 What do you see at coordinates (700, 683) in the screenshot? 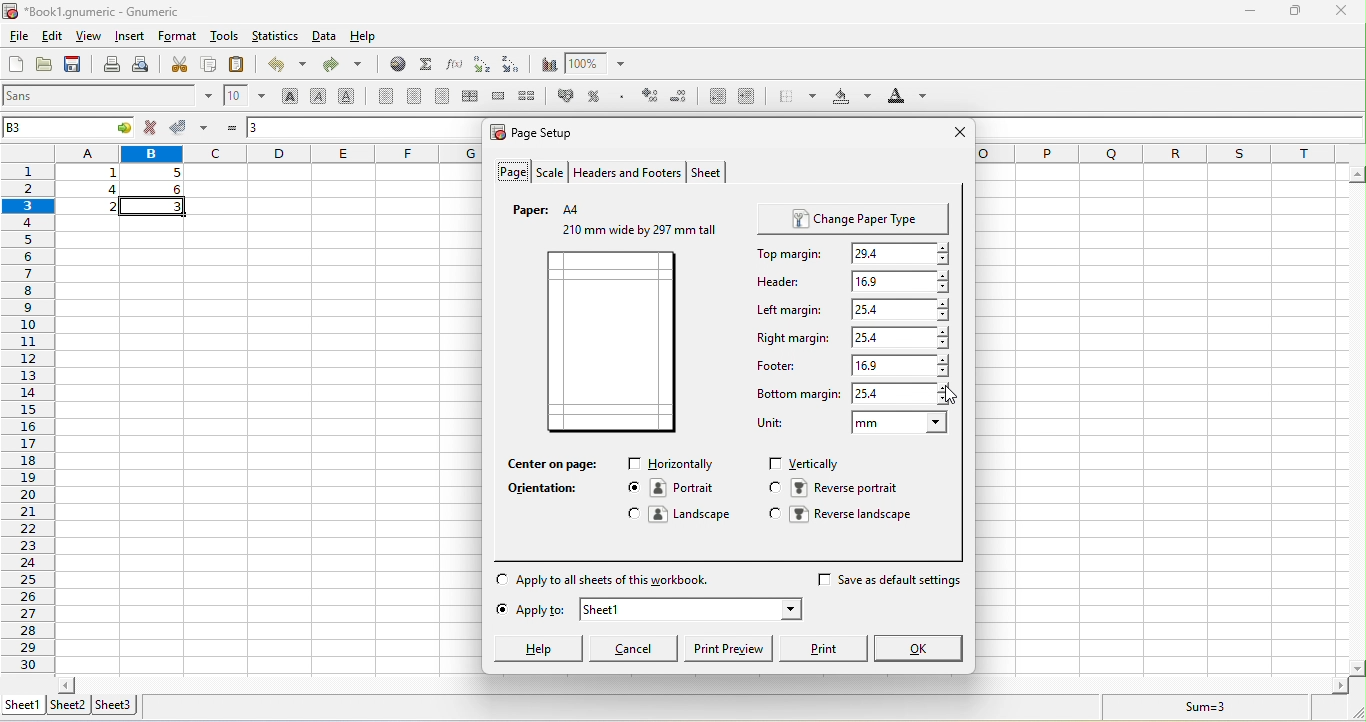
I see `horizontal scroll bar` at bounding box center [700, 683].